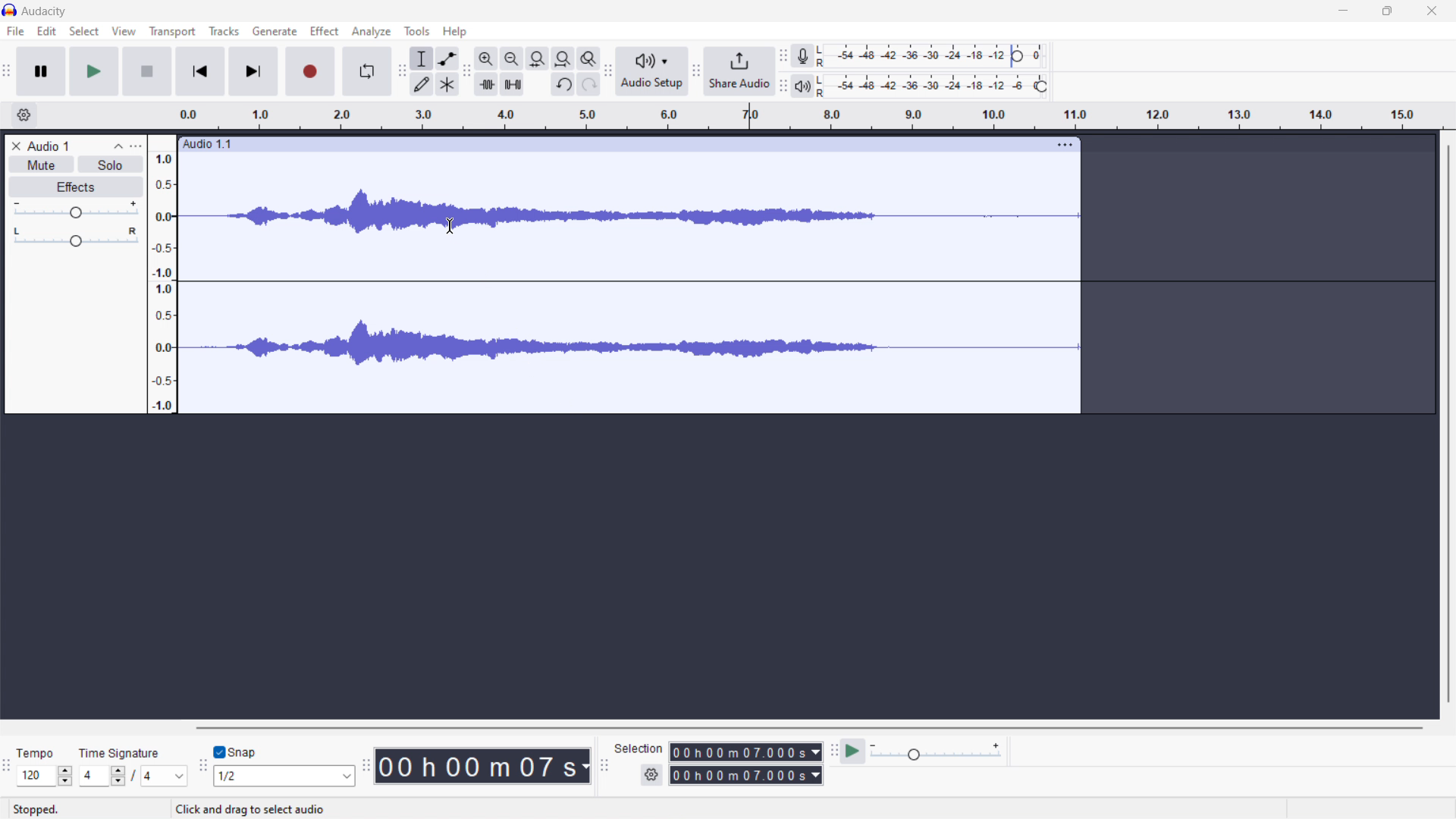 This screenshot has height=819, width=1456. What do you see at coordinates (165, 777) in the screenshot?
I see `4` at bounding box center [165, 777].